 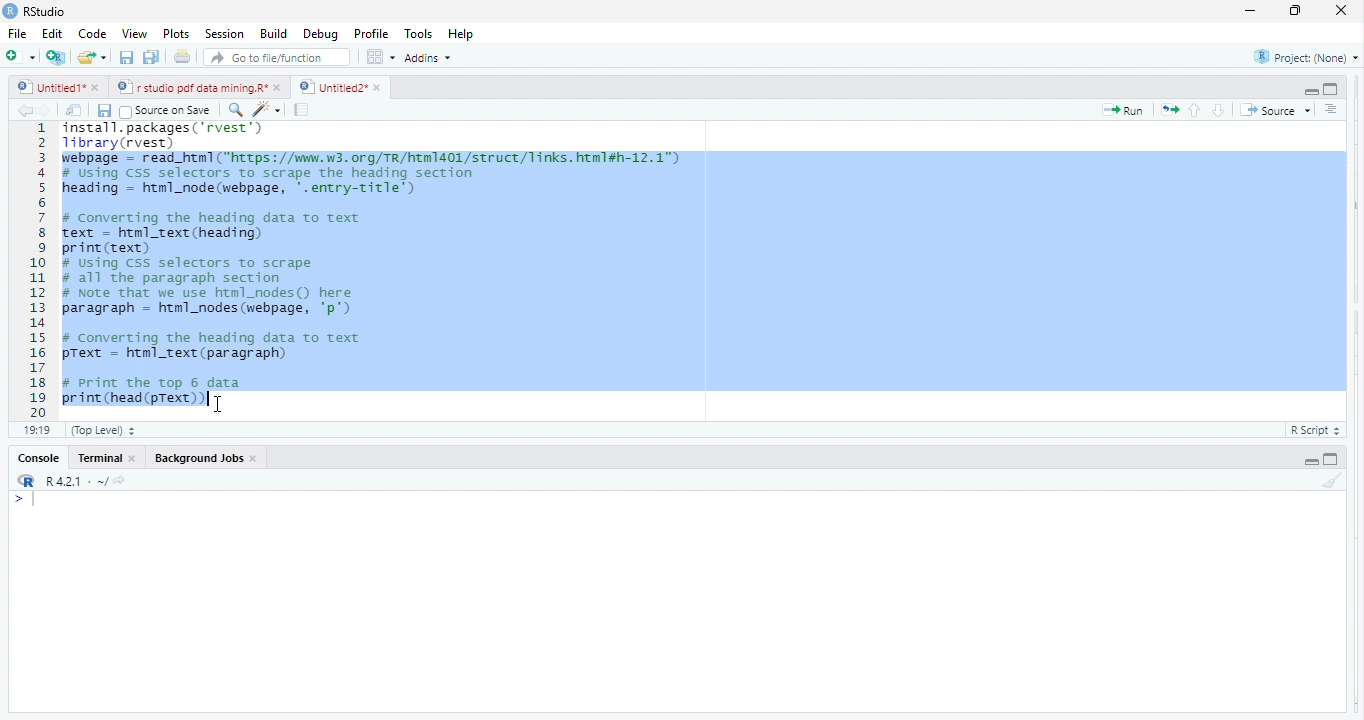 I want to click on rs studio logo, so click(x=26, y=481).